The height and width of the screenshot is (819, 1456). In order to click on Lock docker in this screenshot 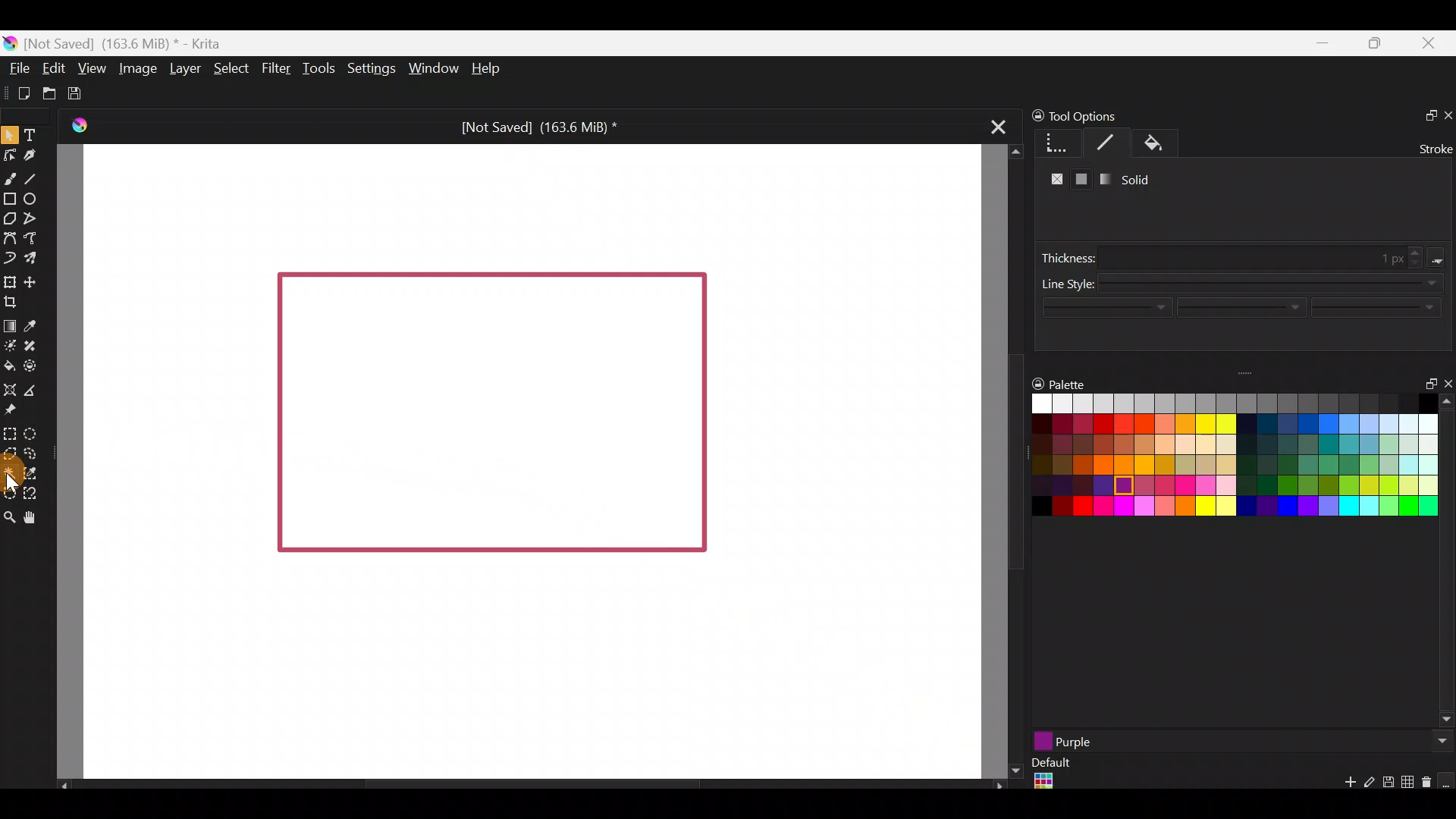, I will do `click(1030, 116)`.